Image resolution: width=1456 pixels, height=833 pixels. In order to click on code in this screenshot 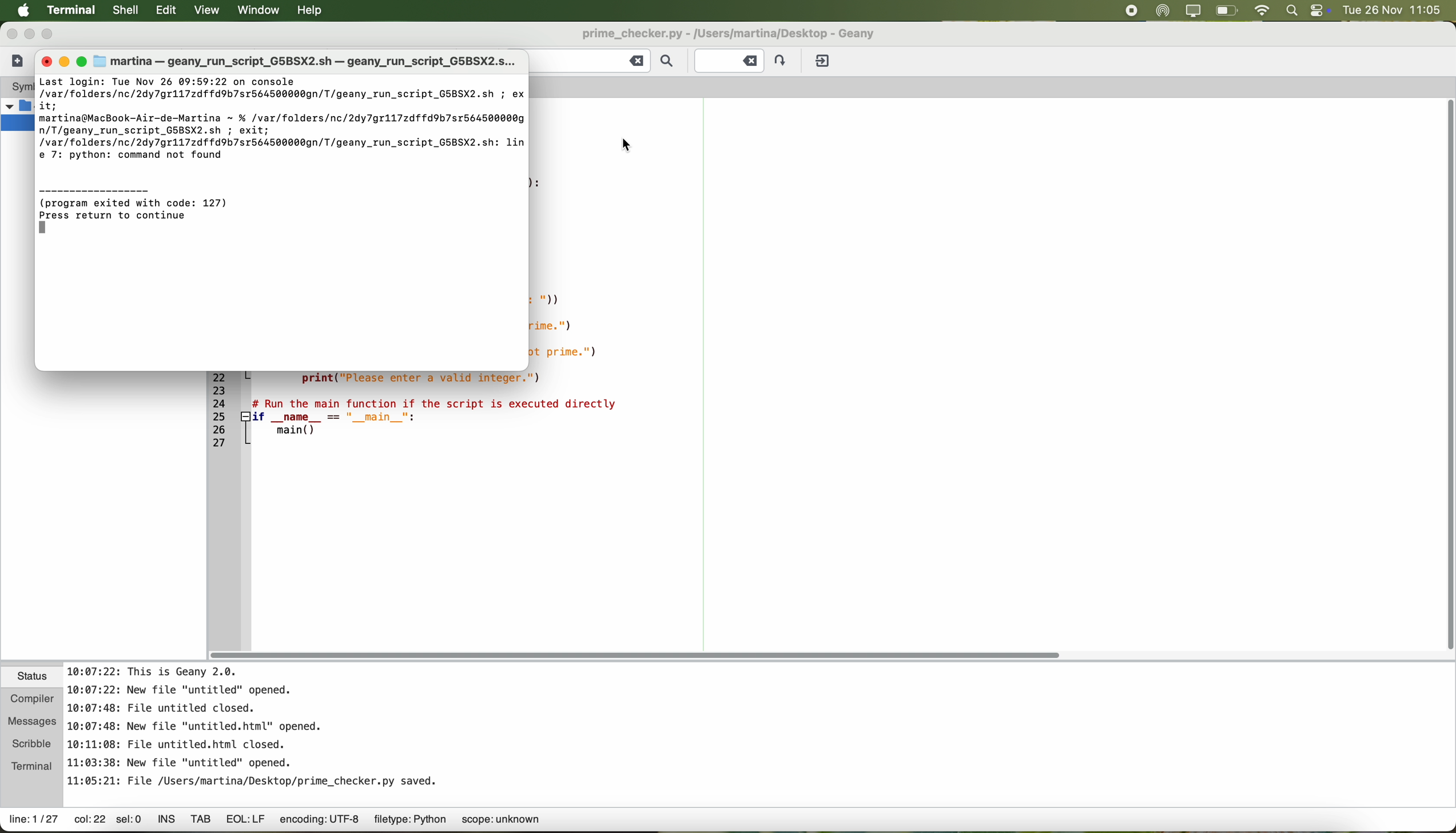, I will do `click(420, 414)`.